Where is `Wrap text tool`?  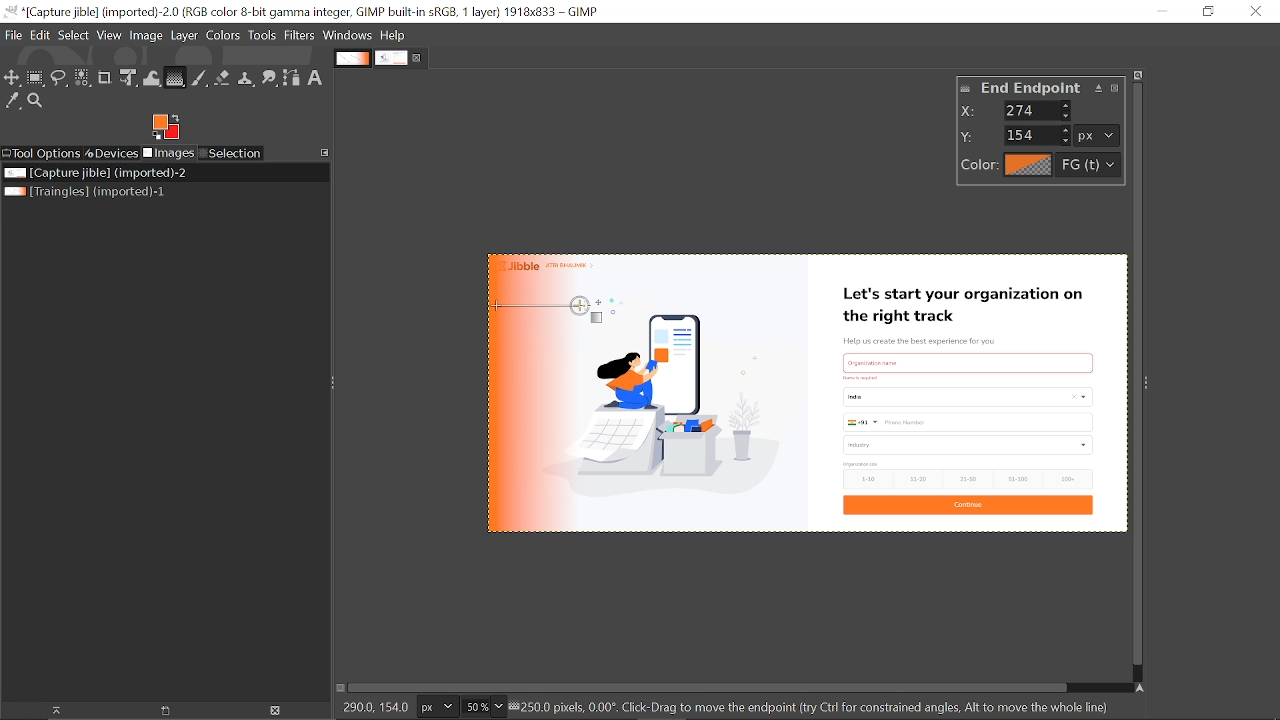
Wrap text tool is located at coordinates (152, 77).